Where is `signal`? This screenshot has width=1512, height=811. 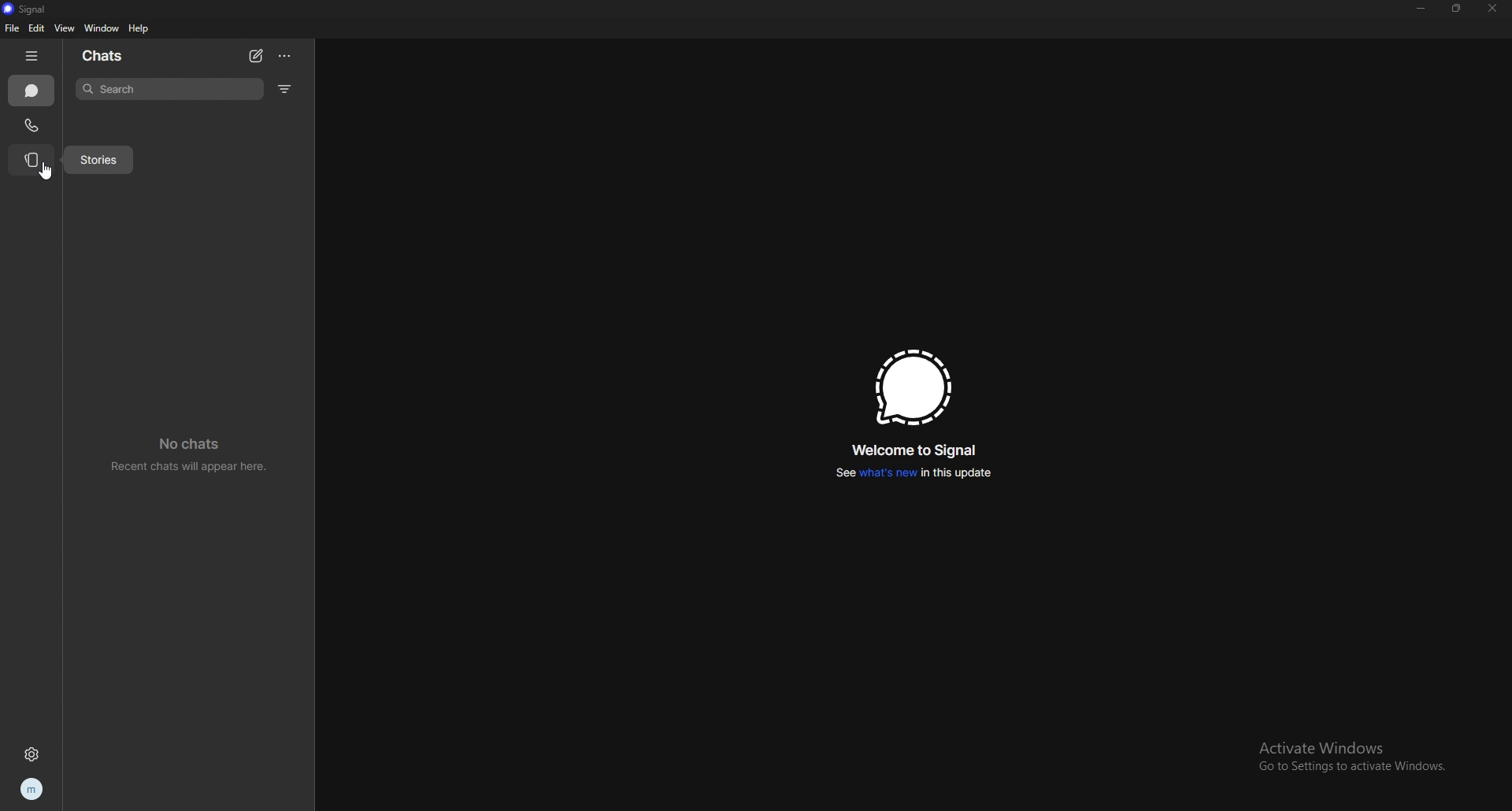 signal is located at coordinates (25, 9).